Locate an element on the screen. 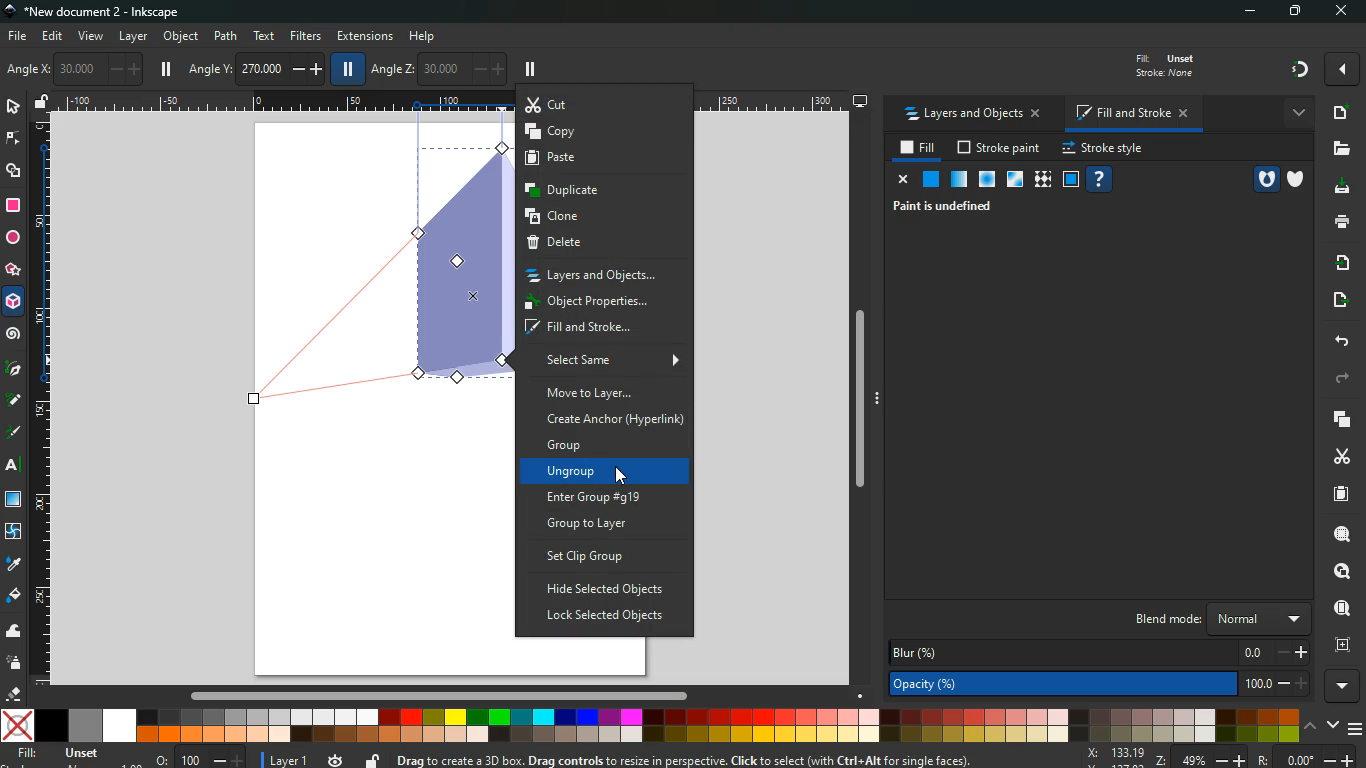 The height and width of the screenshot is (768, 1366). ice is located at coordinates (985, 181).